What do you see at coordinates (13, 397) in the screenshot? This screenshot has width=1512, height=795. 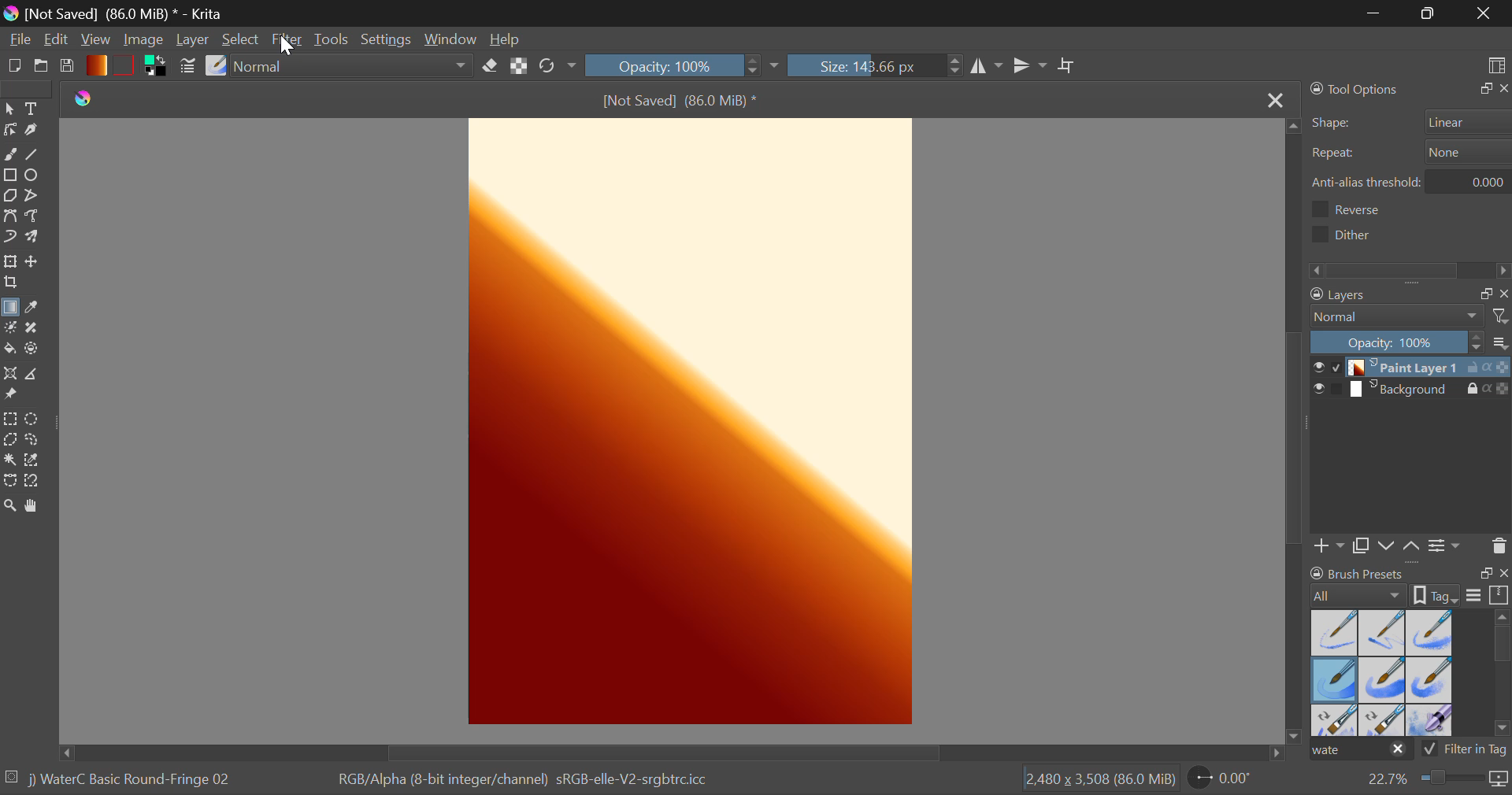 I see `Reference Images` at bounding box center [13, 397].